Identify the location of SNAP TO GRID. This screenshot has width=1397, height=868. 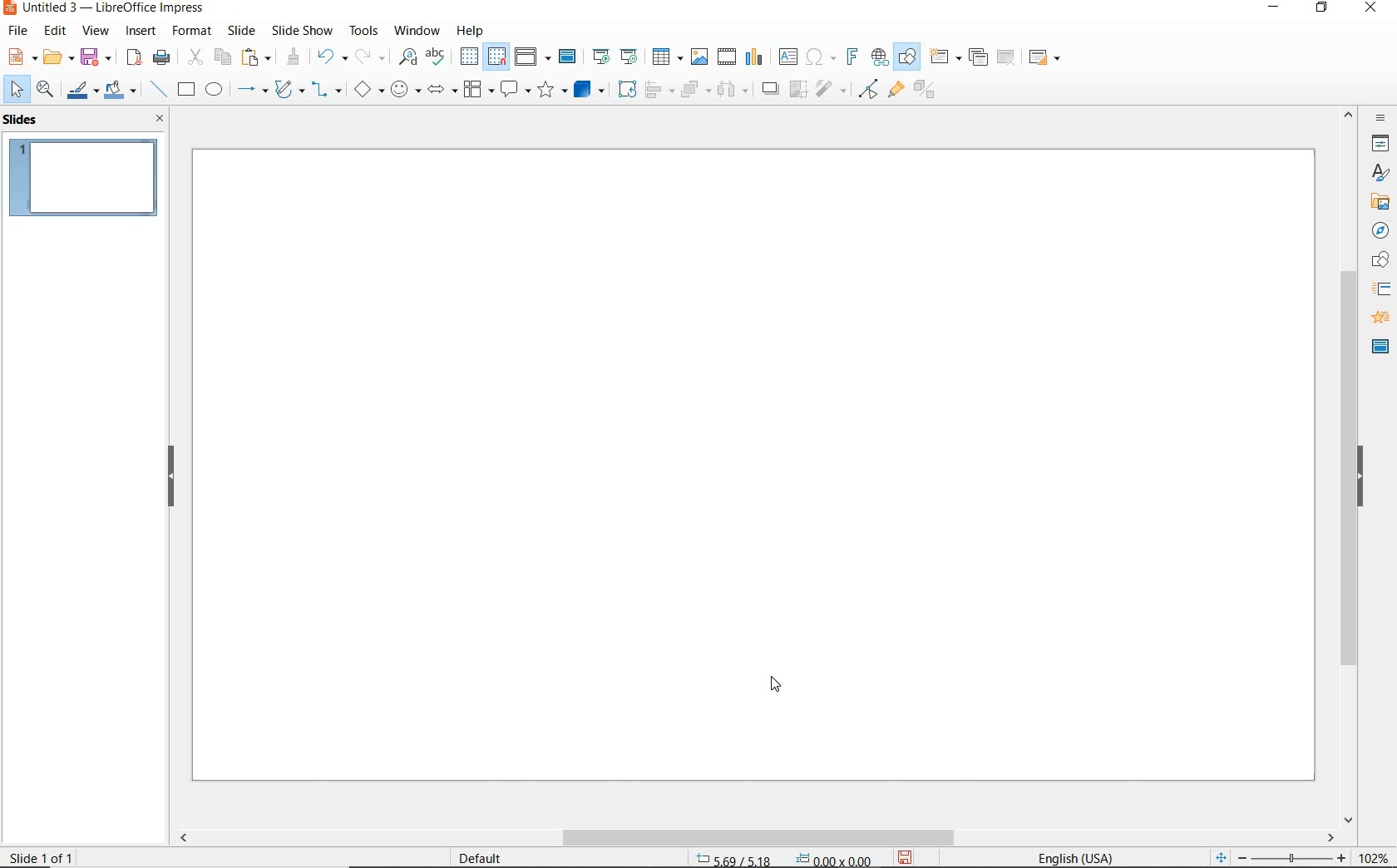
(500, 57).